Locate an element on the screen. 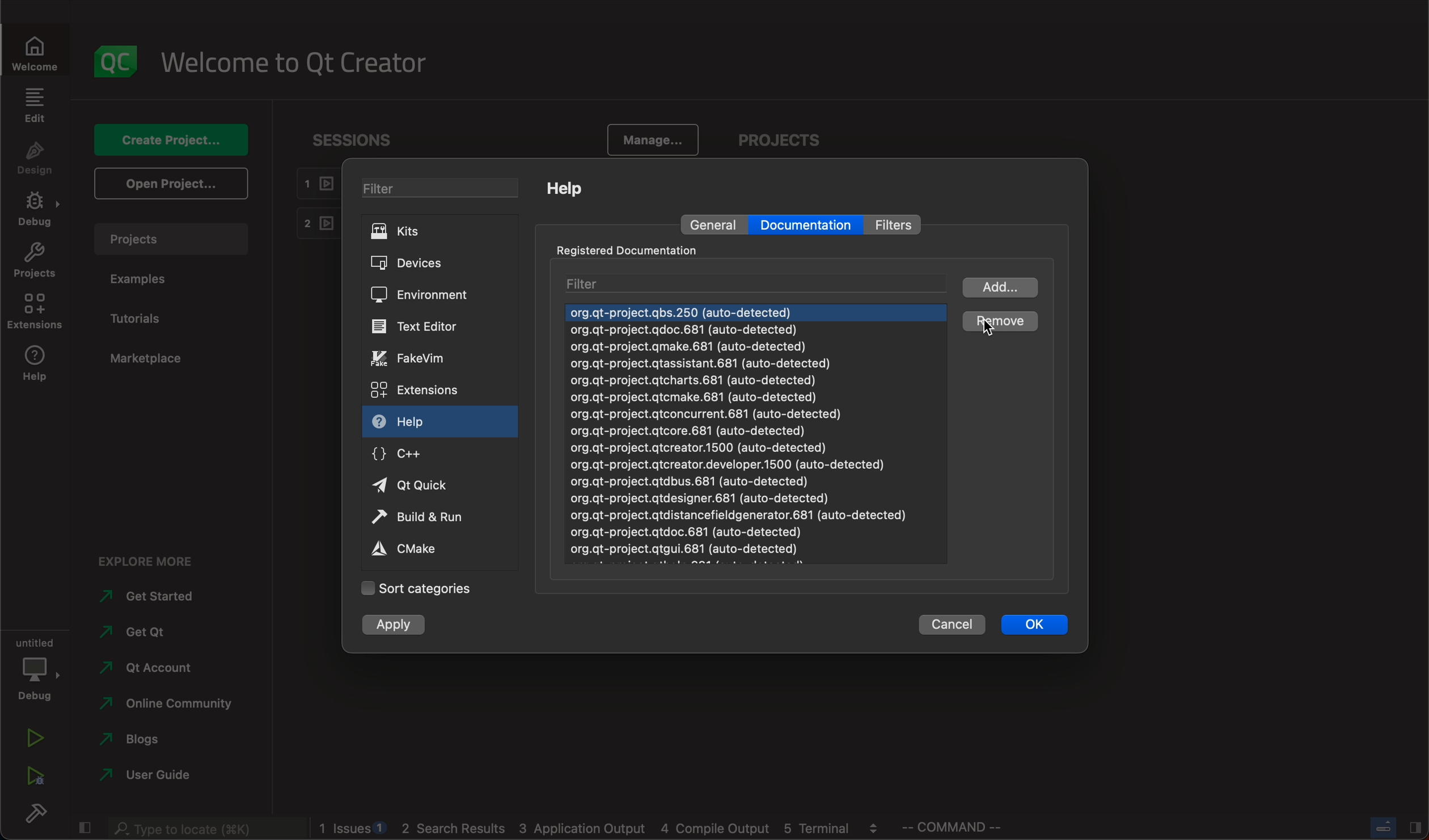 The image size is (1429, 840). sessions is located at coordinates (357, 141).